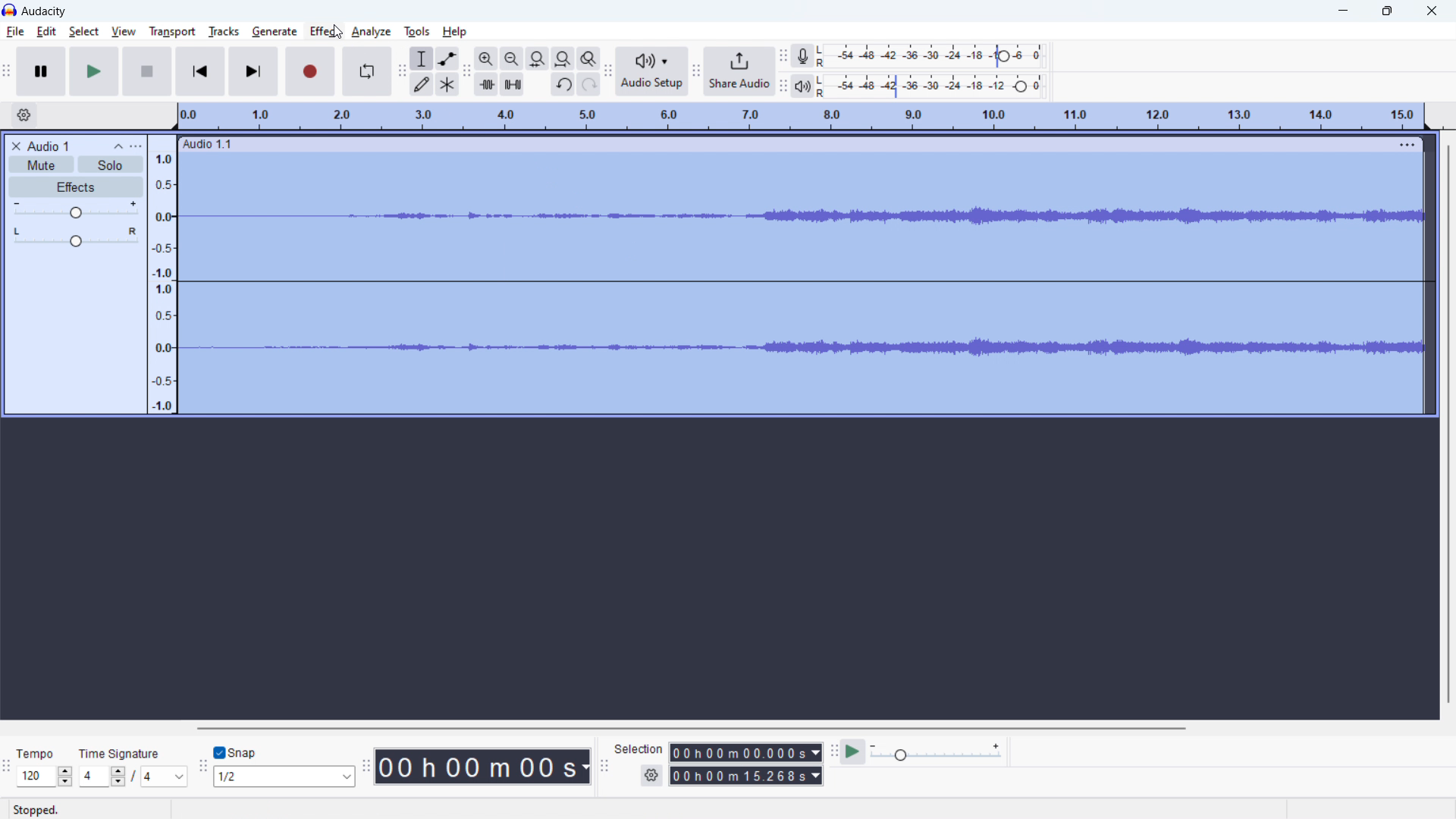 The width and height of the screenshot is (1456, 819). Describe the element at coordinates (200, 71) in the screenshot. I see `skip to start` at that location.